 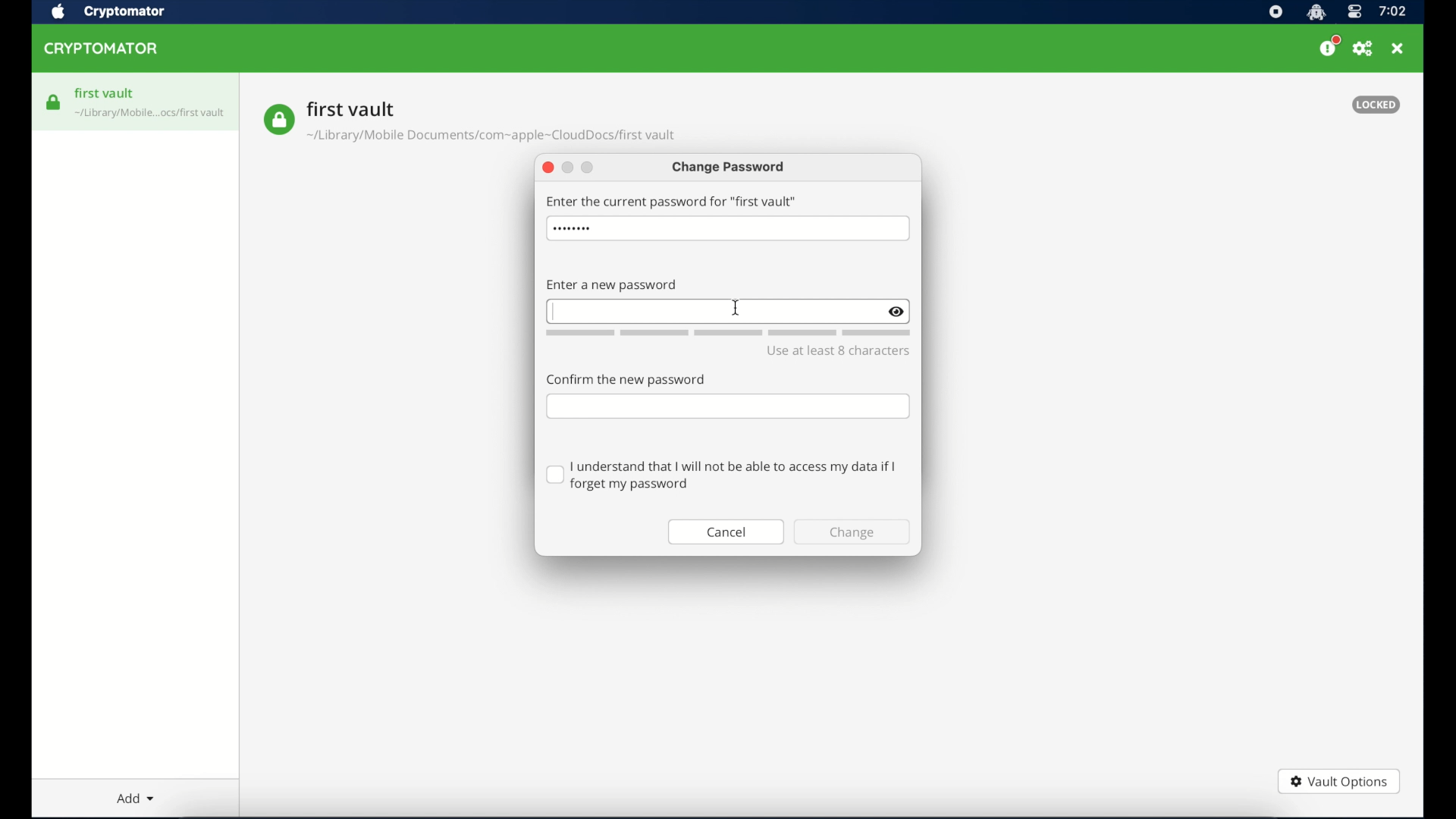 What do you see at coordinates (1329, 46) in the screenshot?
I see `please consider donating` at bounding box center [1329, 46].